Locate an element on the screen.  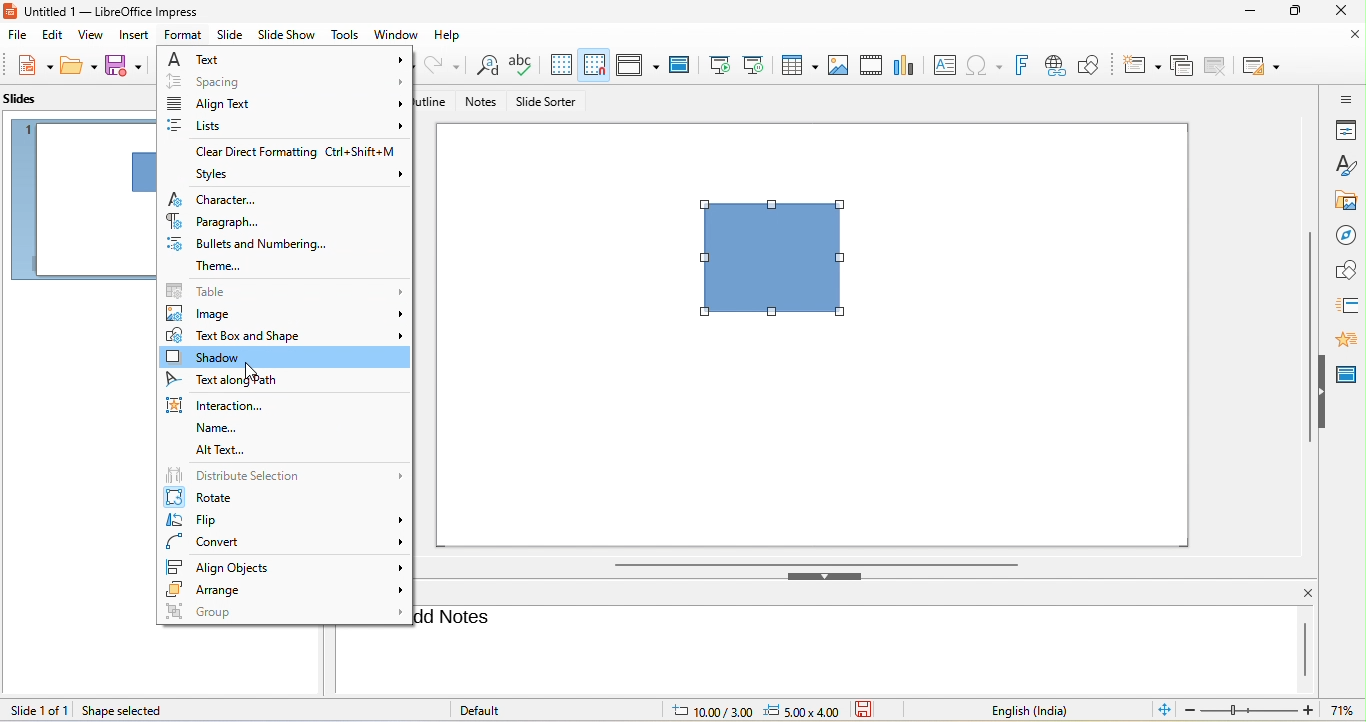
slide transition is located at coordinates (1347, 303).